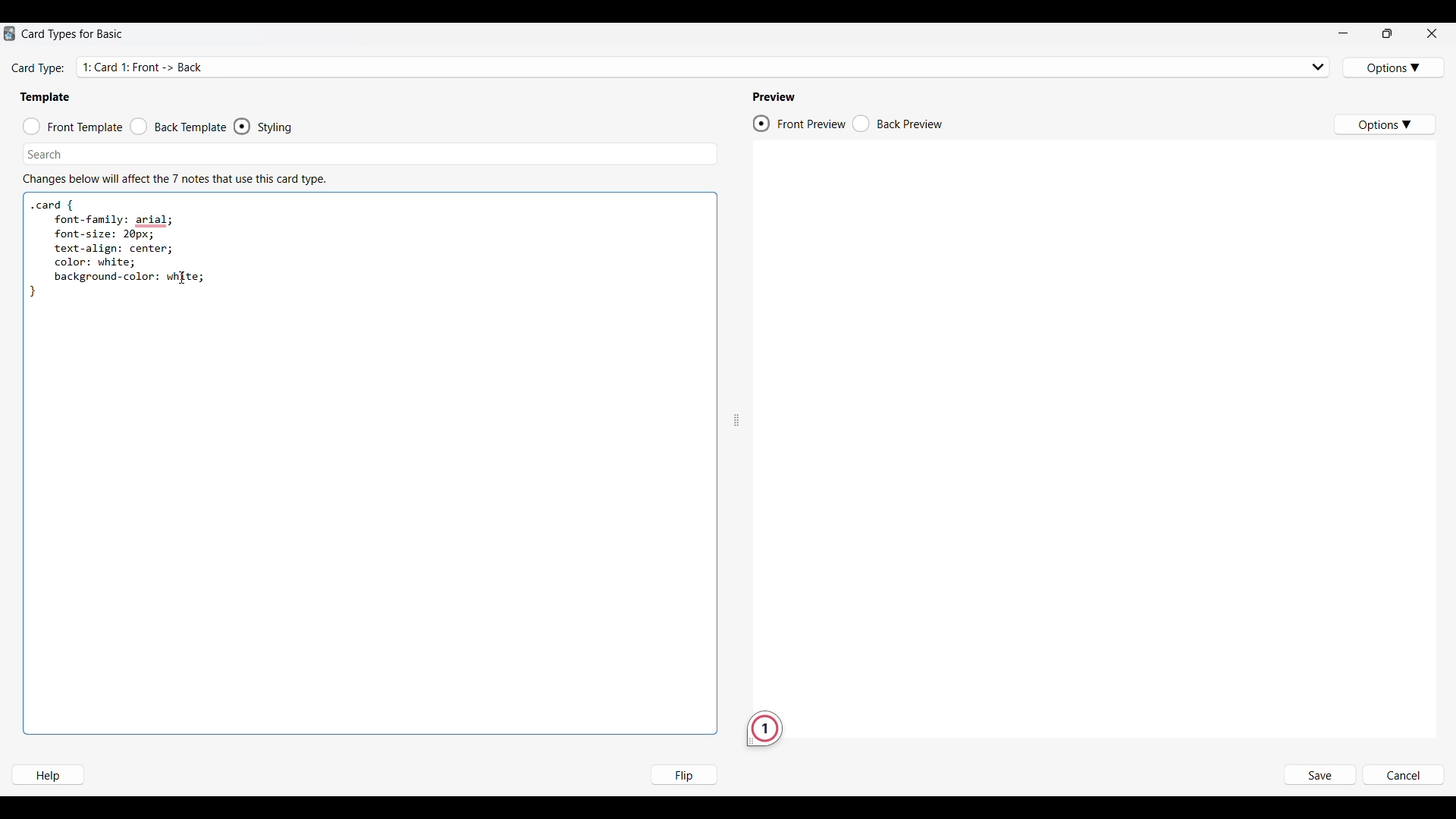 This screenshot has height=819, width=1456. What do you see at coordinates (45, 97) in the screenshot?
I see `Template section` at bounding box center [45, 97].